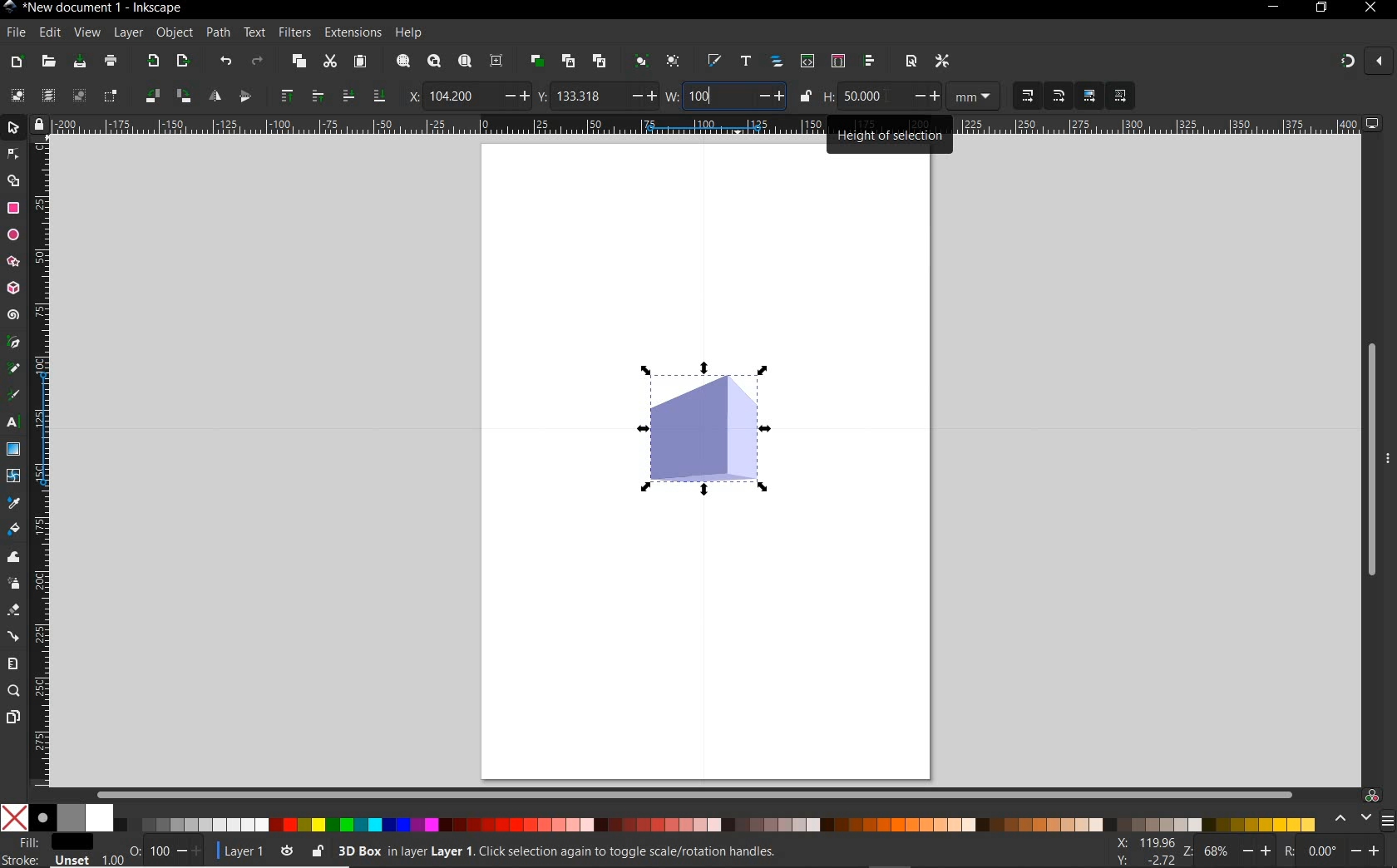  What do you see at coordinates (1352, 819) in the screenshot?
I see `scroll color options` at bounding box center [1352, 819].